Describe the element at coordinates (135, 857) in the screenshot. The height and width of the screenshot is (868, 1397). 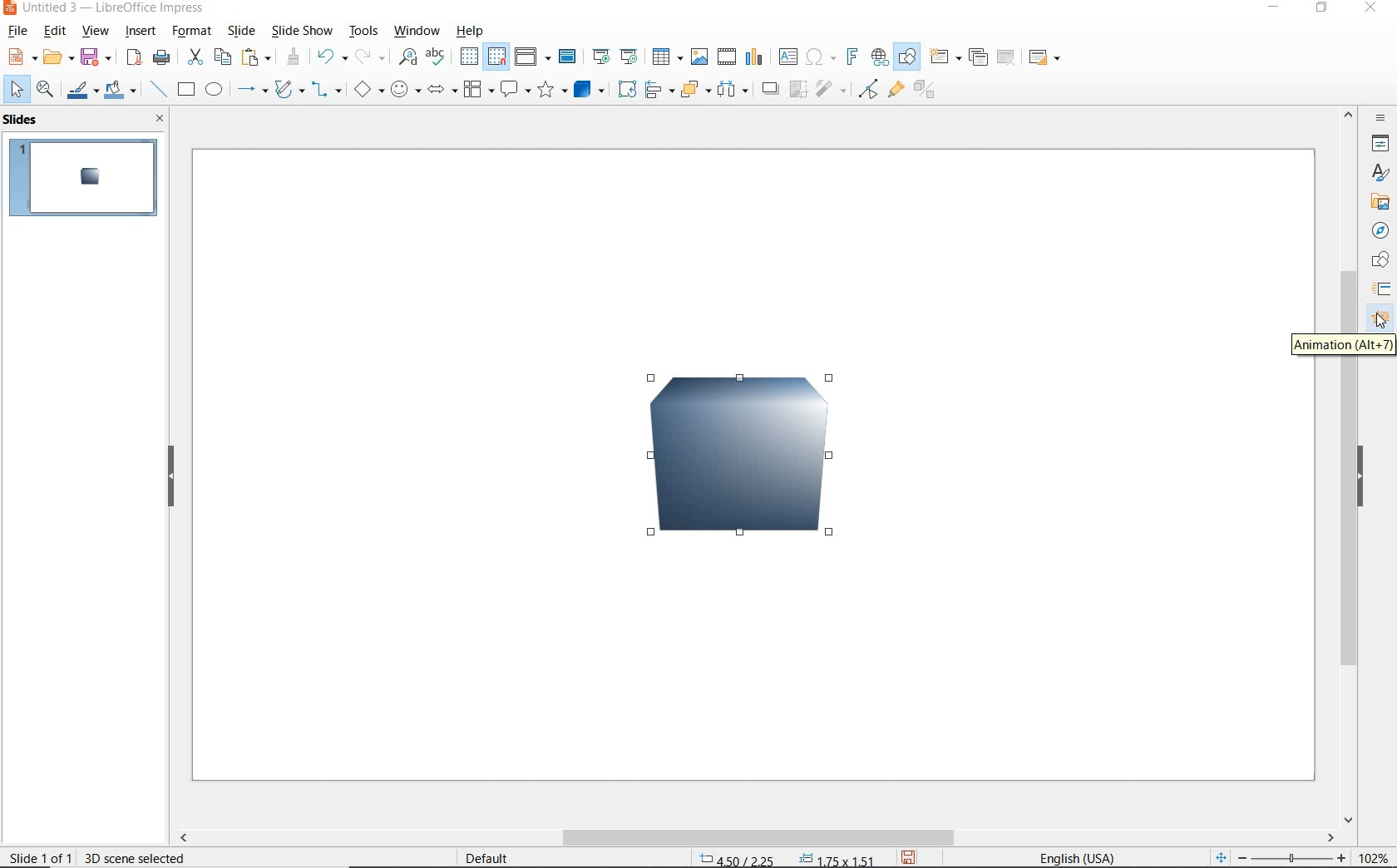
I see `3d scene selected` at that location.